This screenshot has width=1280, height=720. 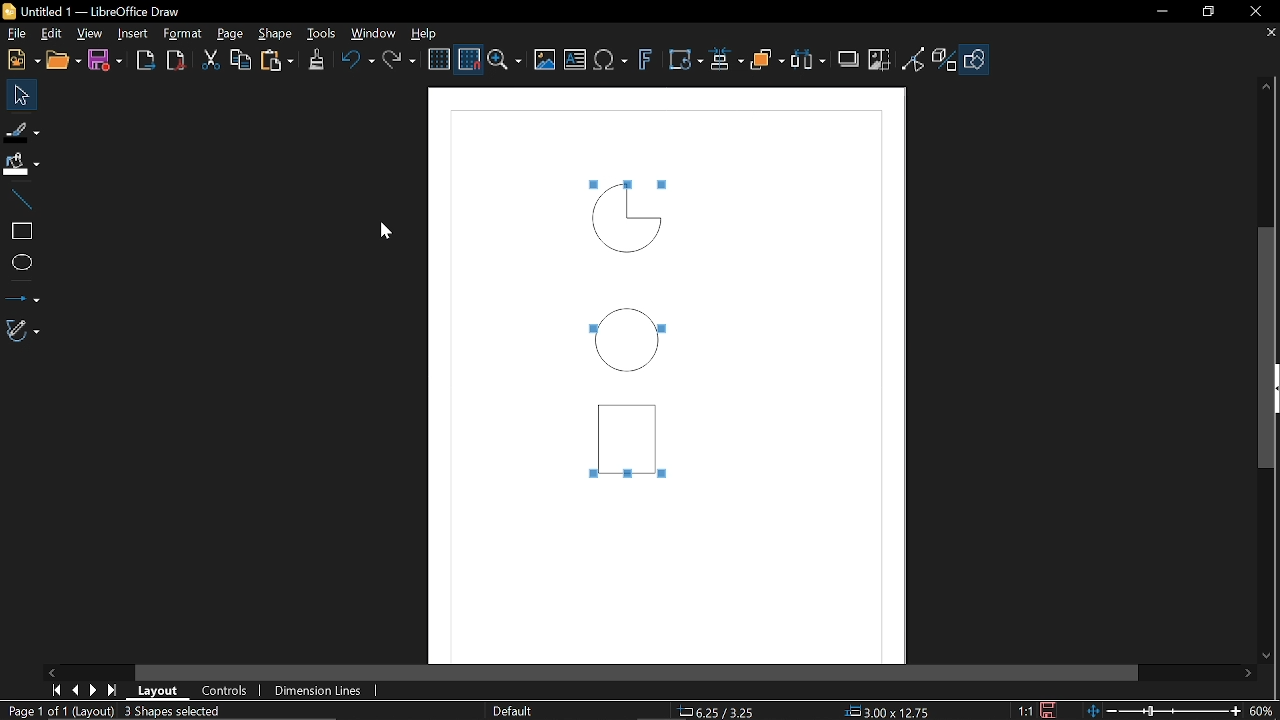 What do you see at coordinates (848, 61) in the screenshot?
I see `Shadow` at bounding box center [848, 61].